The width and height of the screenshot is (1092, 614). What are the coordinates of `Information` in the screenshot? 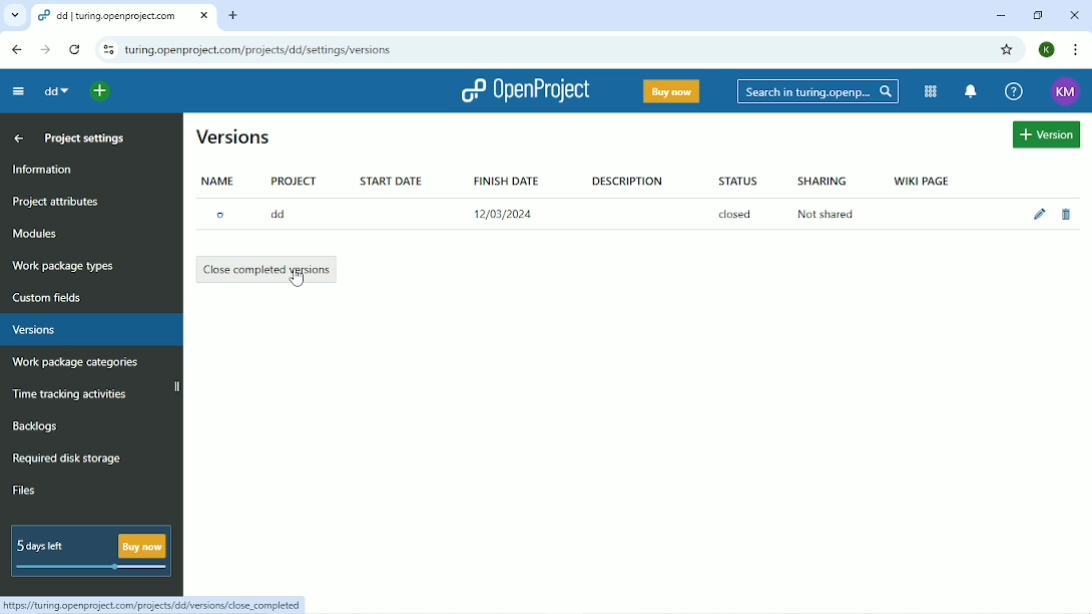 It's located at (45, 170).